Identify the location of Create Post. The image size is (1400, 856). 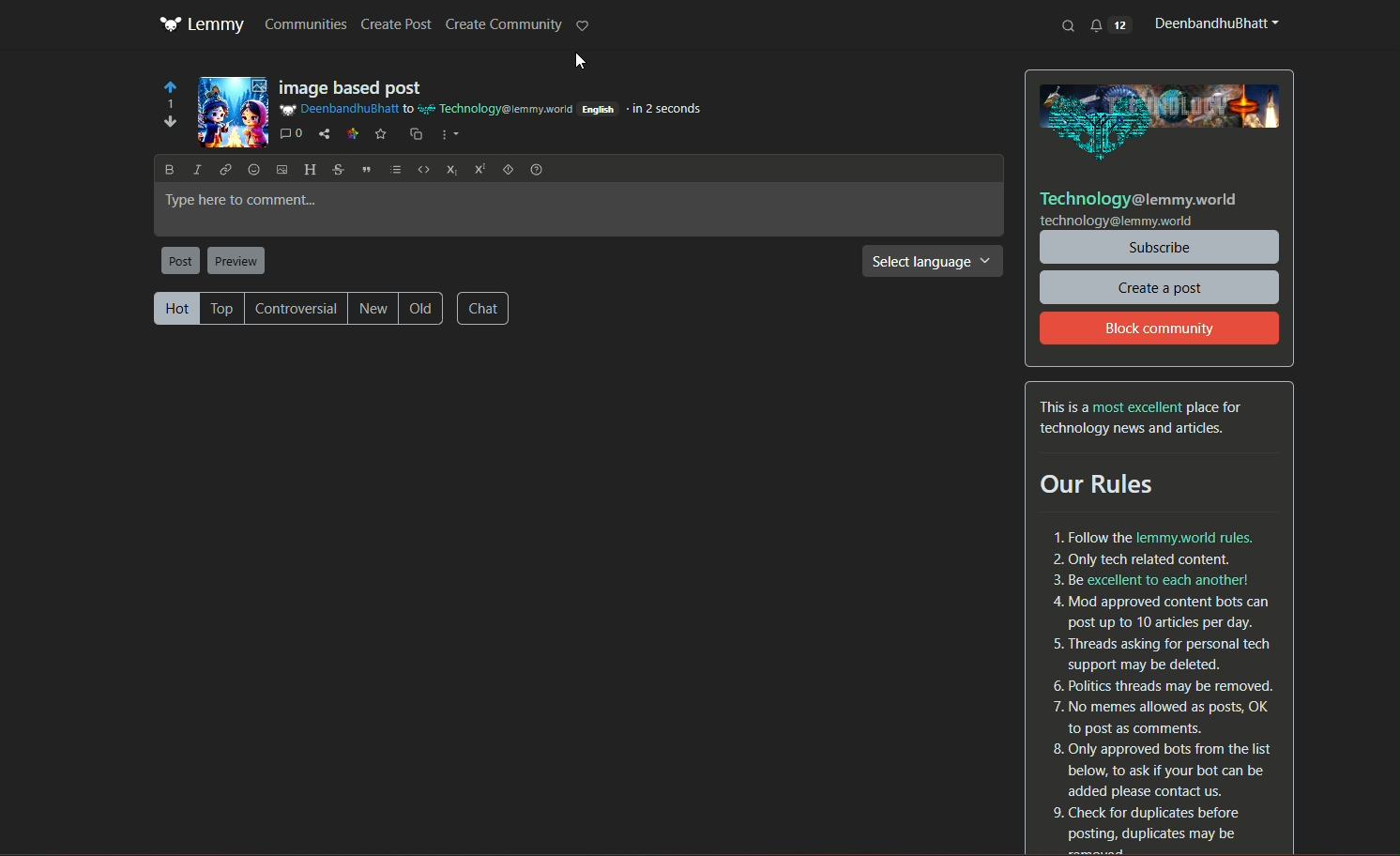
(399, 25).